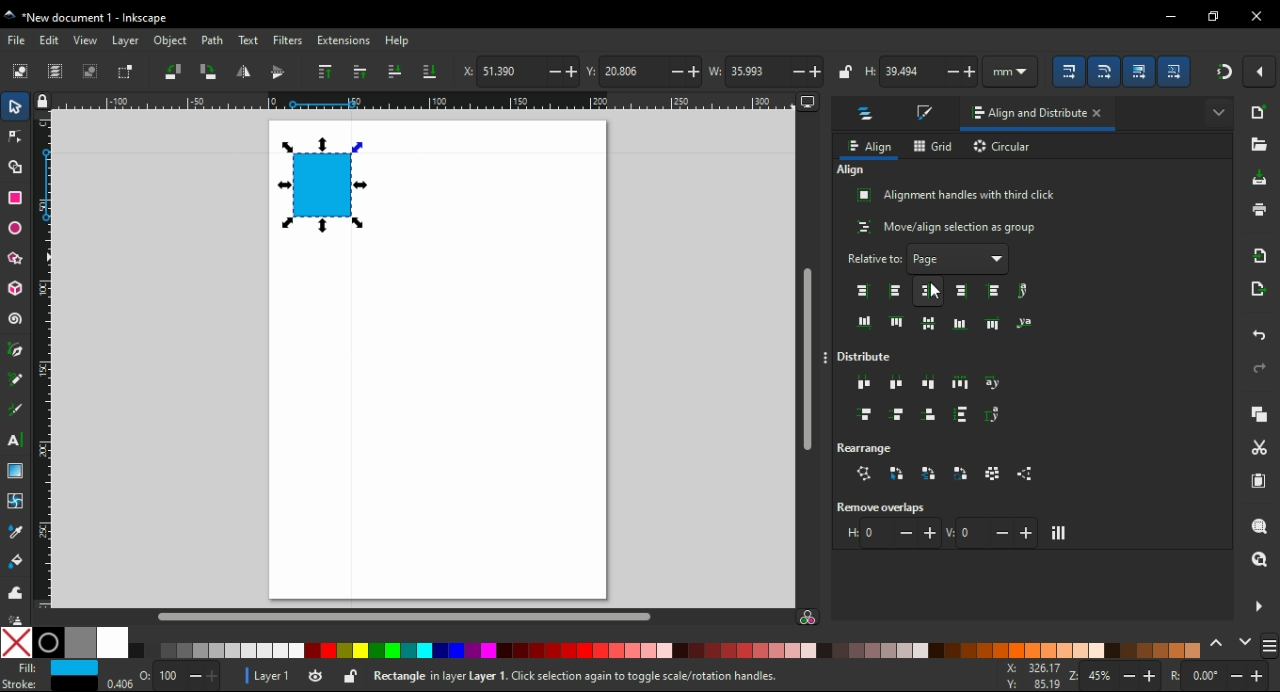 The width and height of the screenshot is (1280, 692). What do you see at coordinates (1214, 16) in the screenshot?
I see `restore` at bounding box center [1214, 16].